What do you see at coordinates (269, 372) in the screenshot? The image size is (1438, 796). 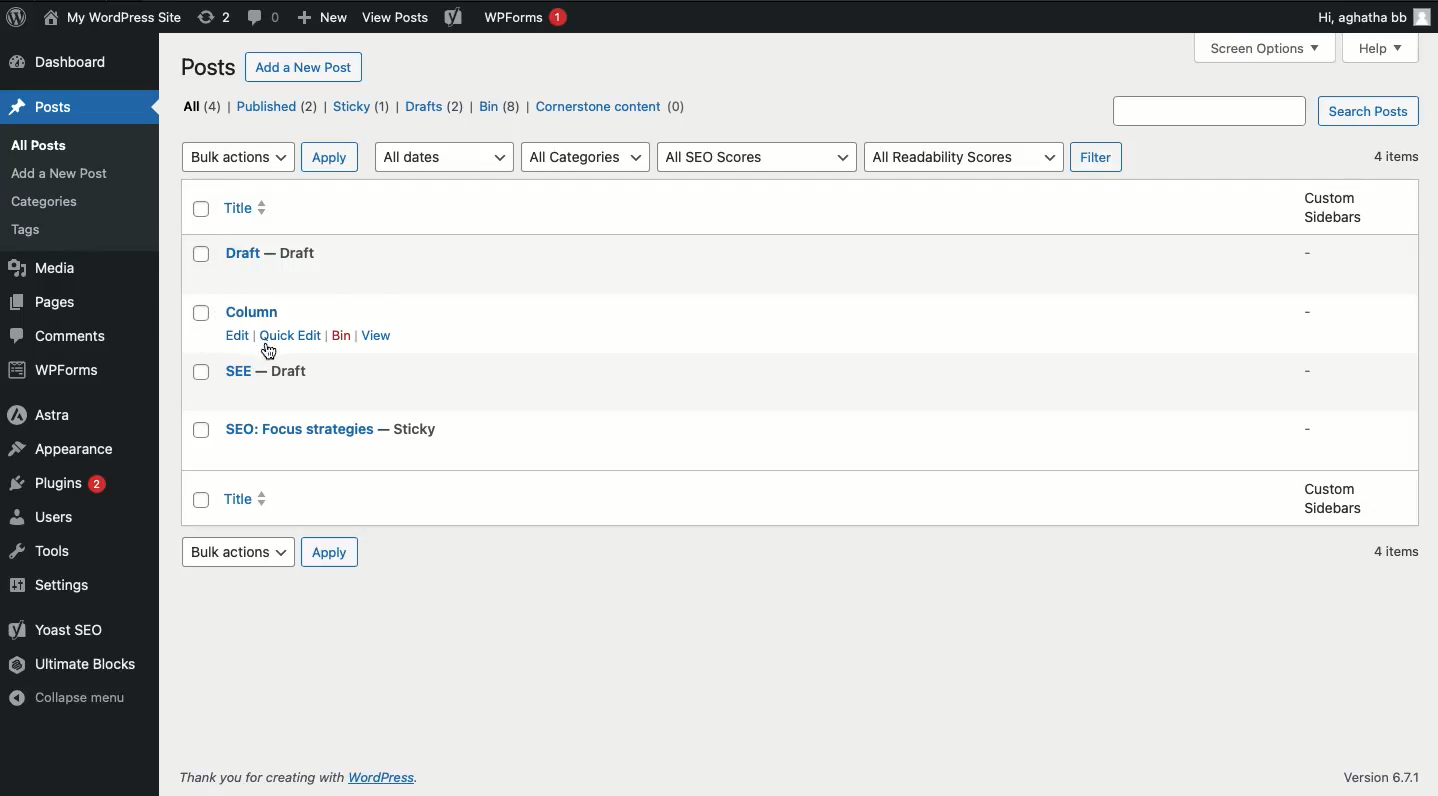 I see `see -- Draft` at bounding box center [269, 372].